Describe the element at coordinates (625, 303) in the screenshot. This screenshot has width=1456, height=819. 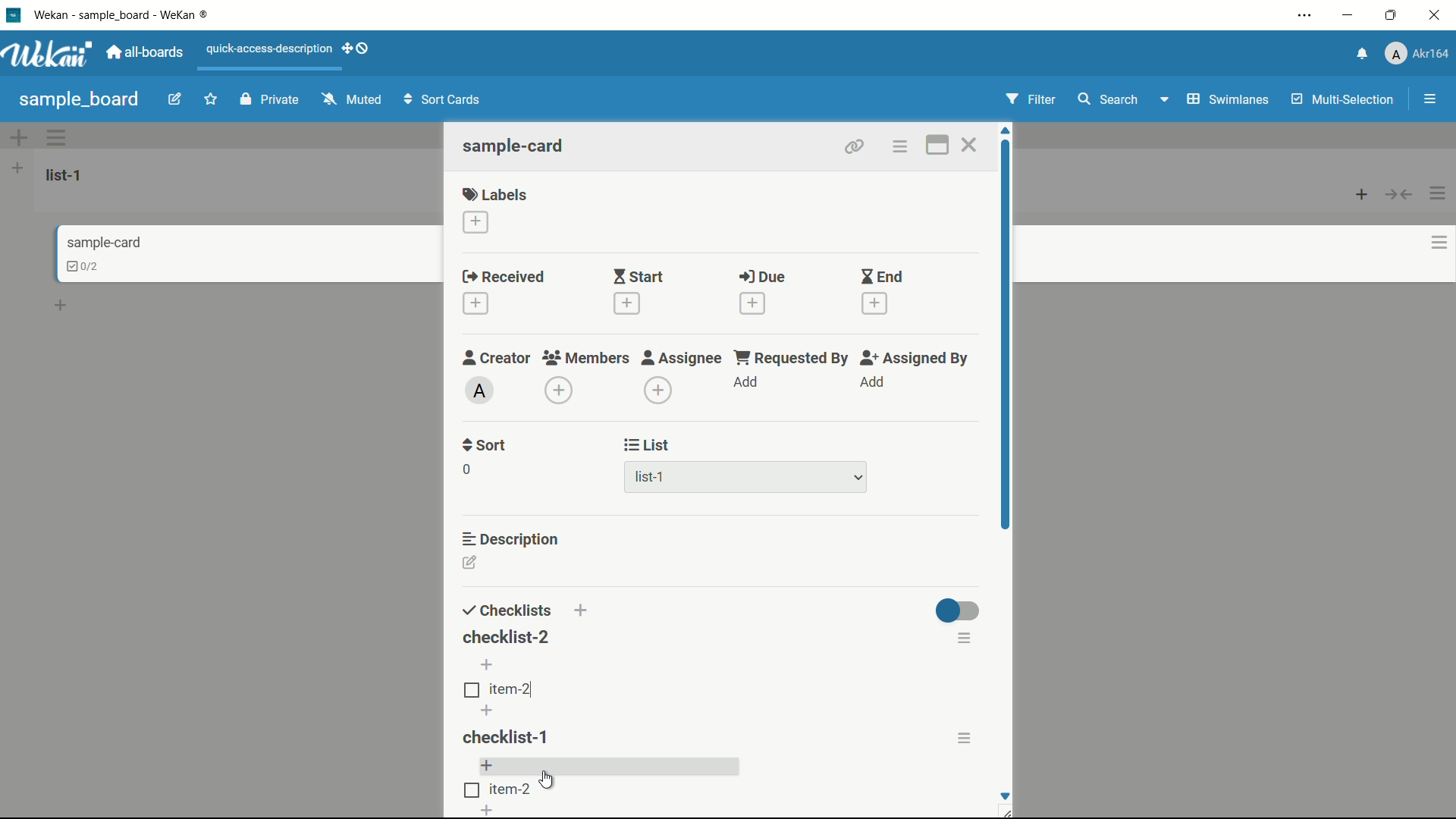
I see `add date` at that location.